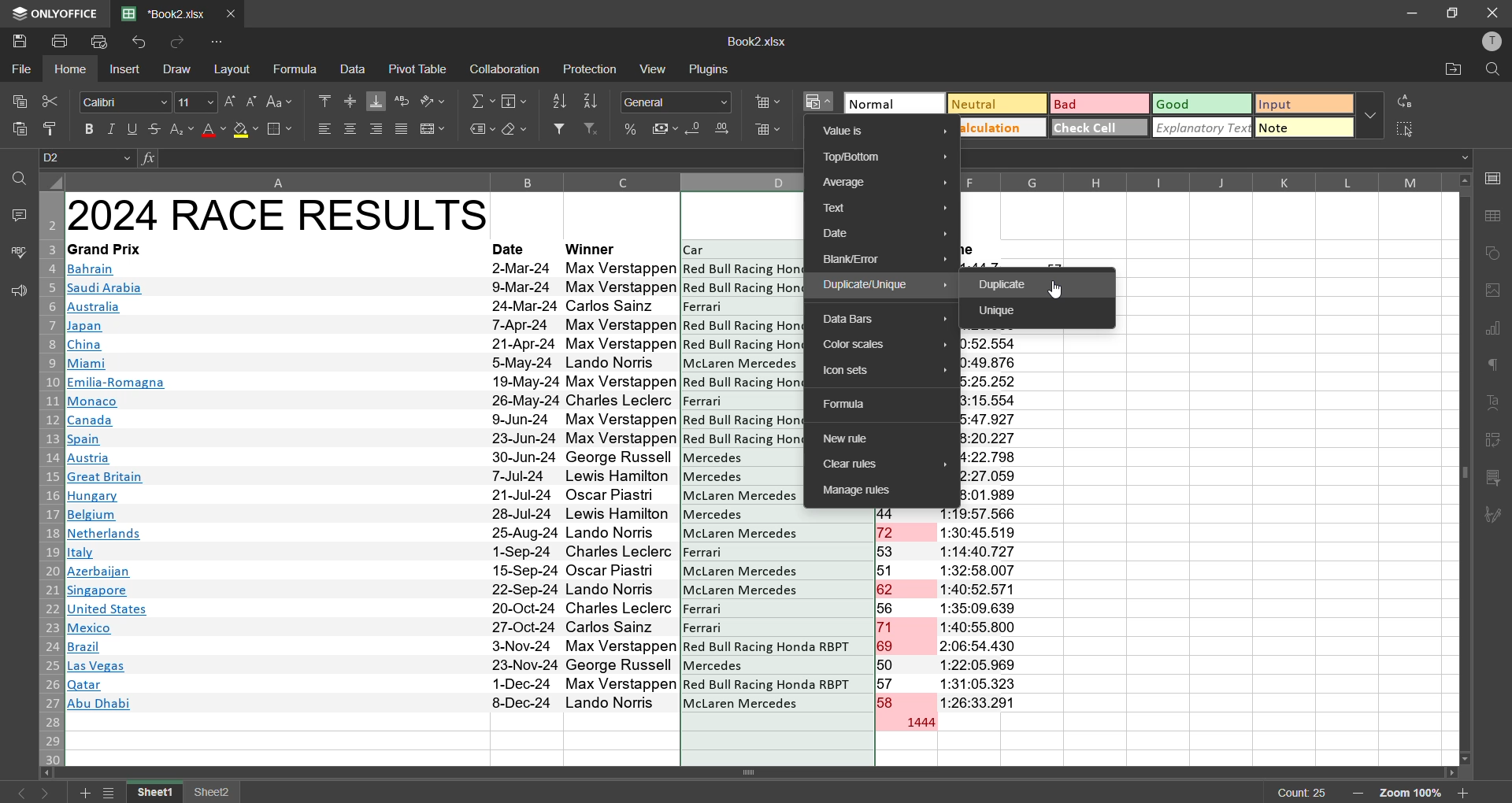  Describe the element at coordinates (377, 101) in the screenshot. I see `align bottom` at that location.